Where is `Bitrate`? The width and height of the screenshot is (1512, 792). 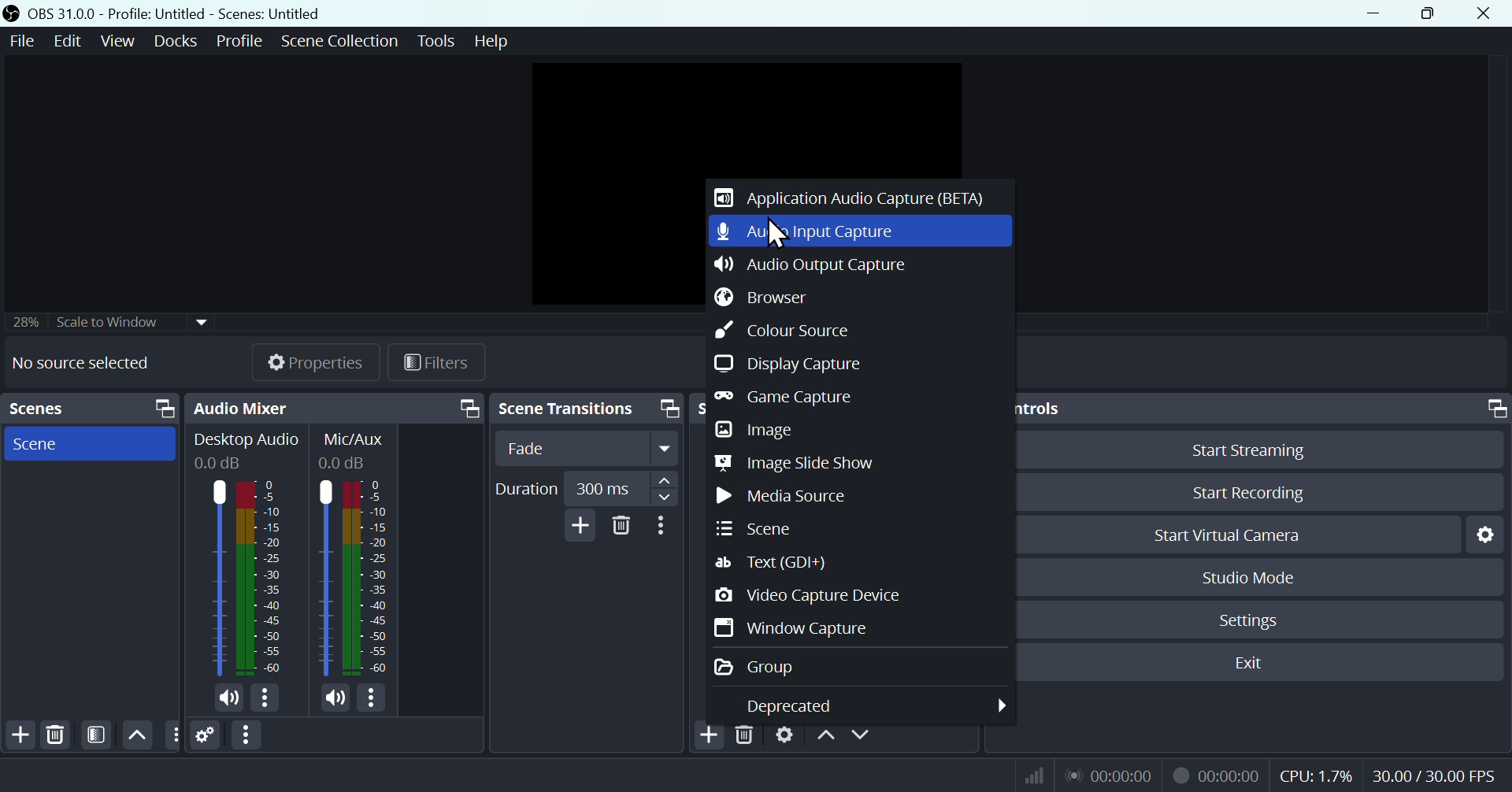 Bitrate is located at coordinates (1032, 774).